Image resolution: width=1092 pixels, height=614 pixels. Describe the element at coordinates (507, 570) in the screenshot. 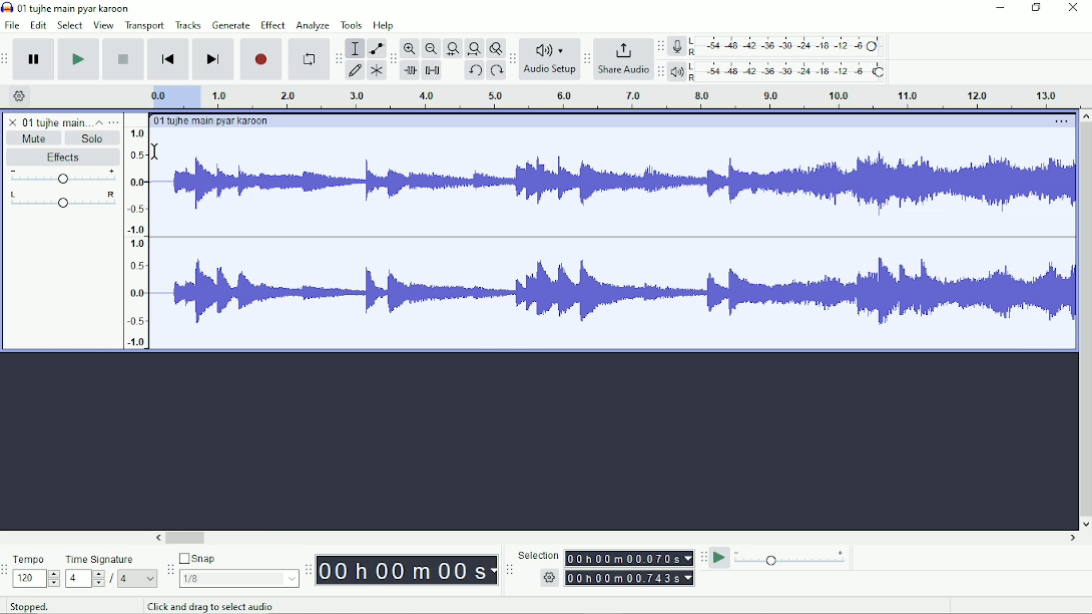

I see `Audacity selection toolbar` at that location.